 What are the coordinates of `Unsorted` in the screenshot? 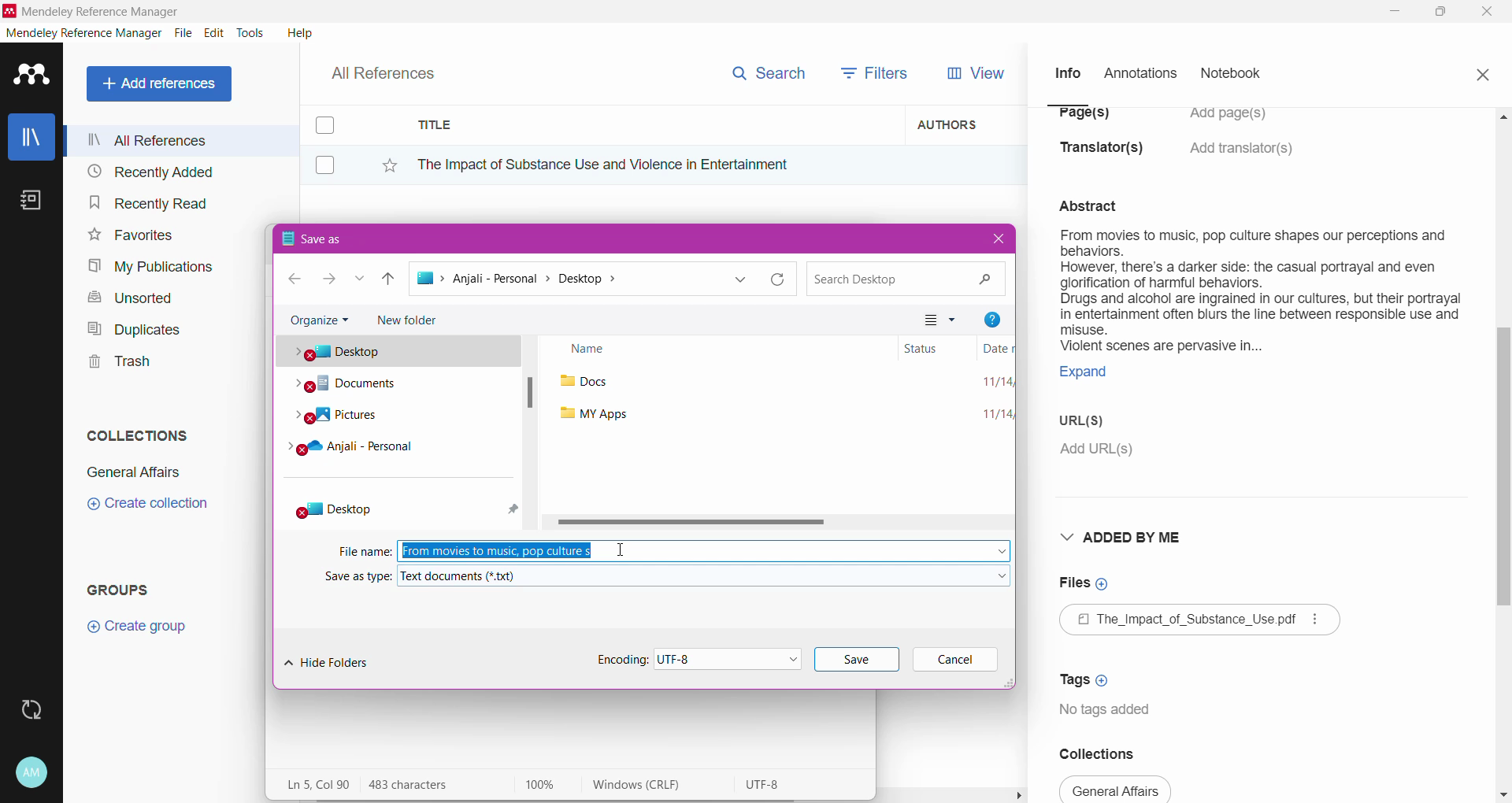 It's located at (128, 297).